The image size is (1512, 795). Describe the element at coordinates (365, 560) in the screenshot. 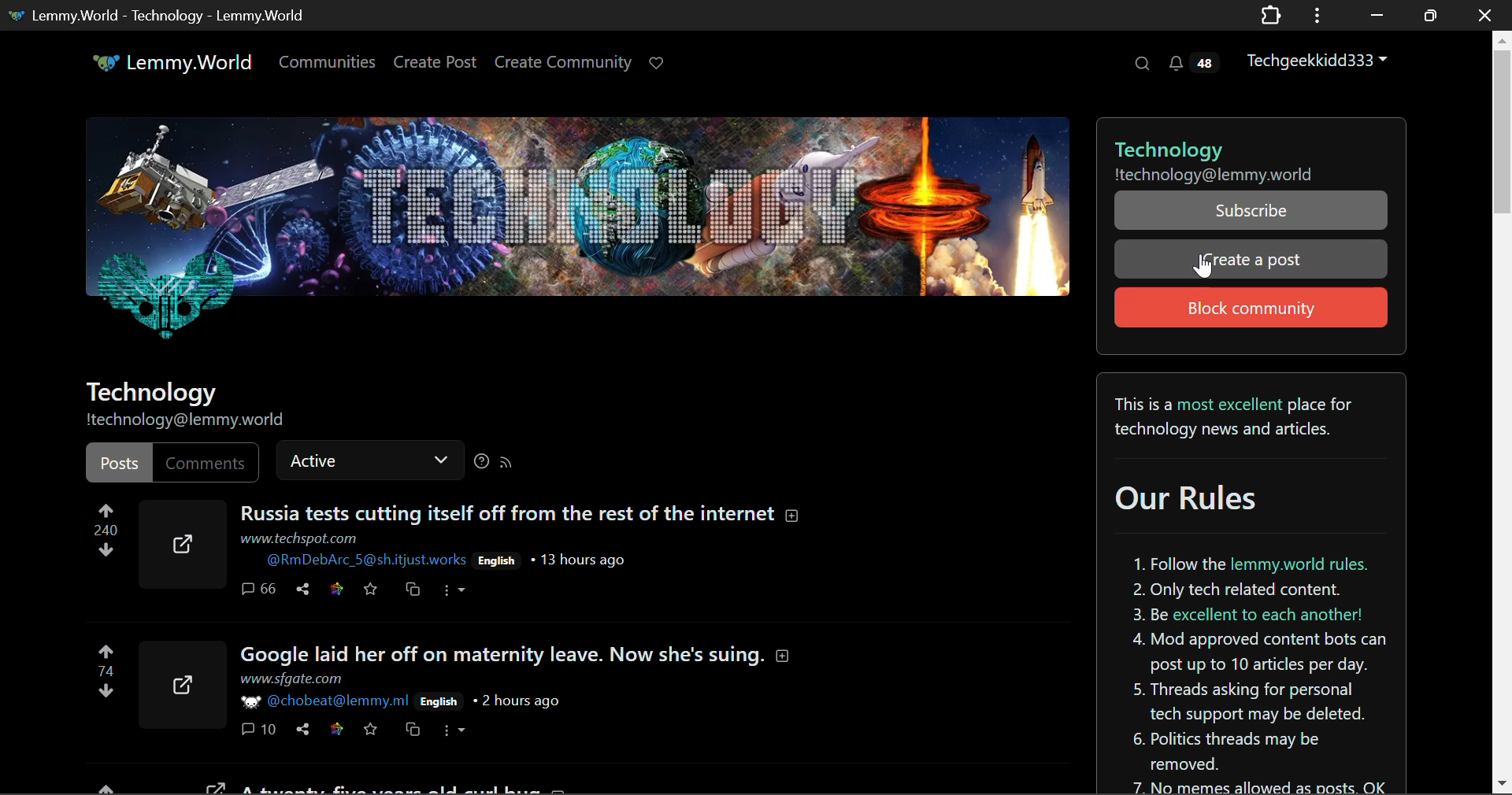

I see `@RmDebArc_5@sh.itjust.works` at that location.